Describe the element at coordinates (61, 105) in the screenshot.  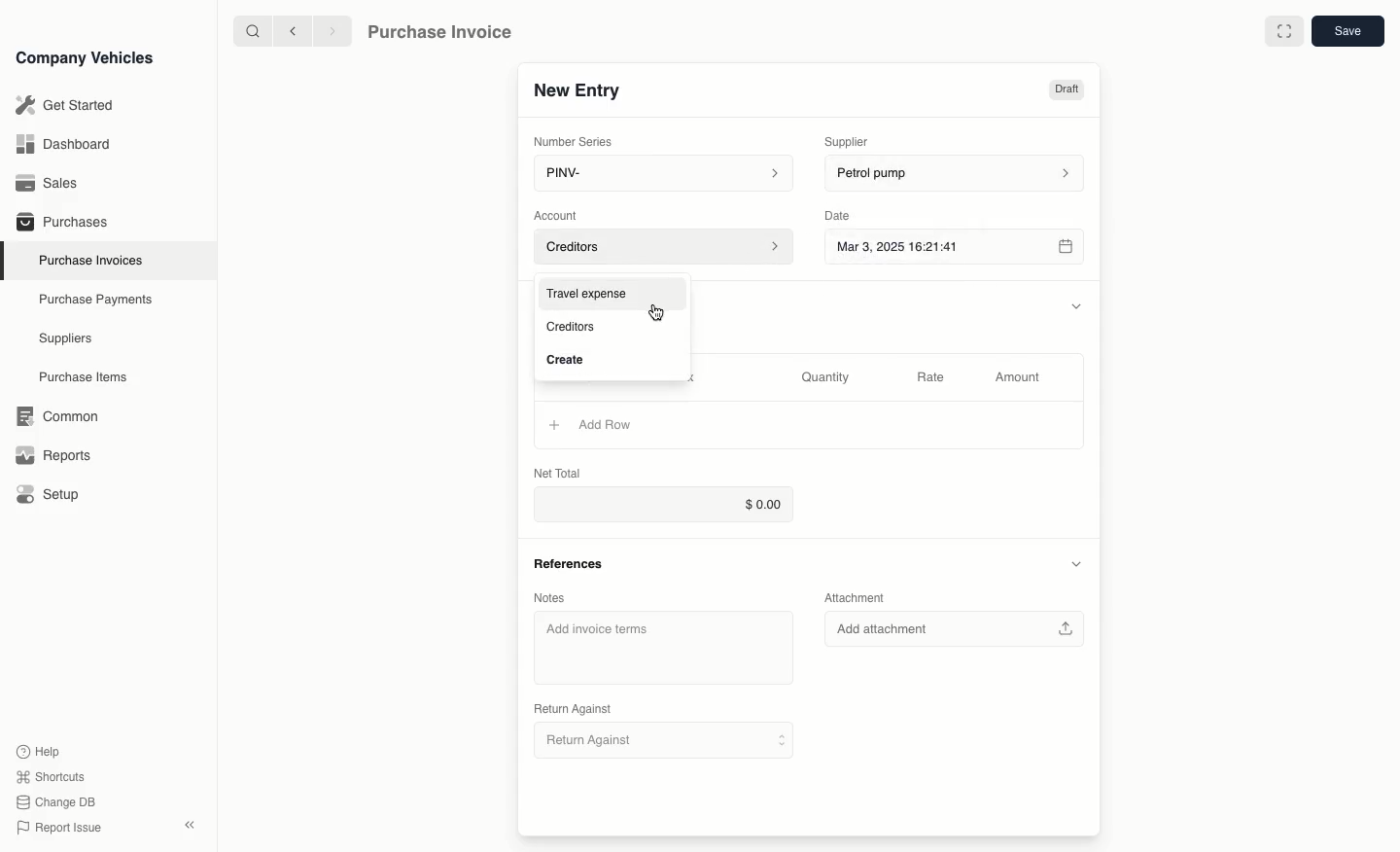
I see `Get Started` at that location.